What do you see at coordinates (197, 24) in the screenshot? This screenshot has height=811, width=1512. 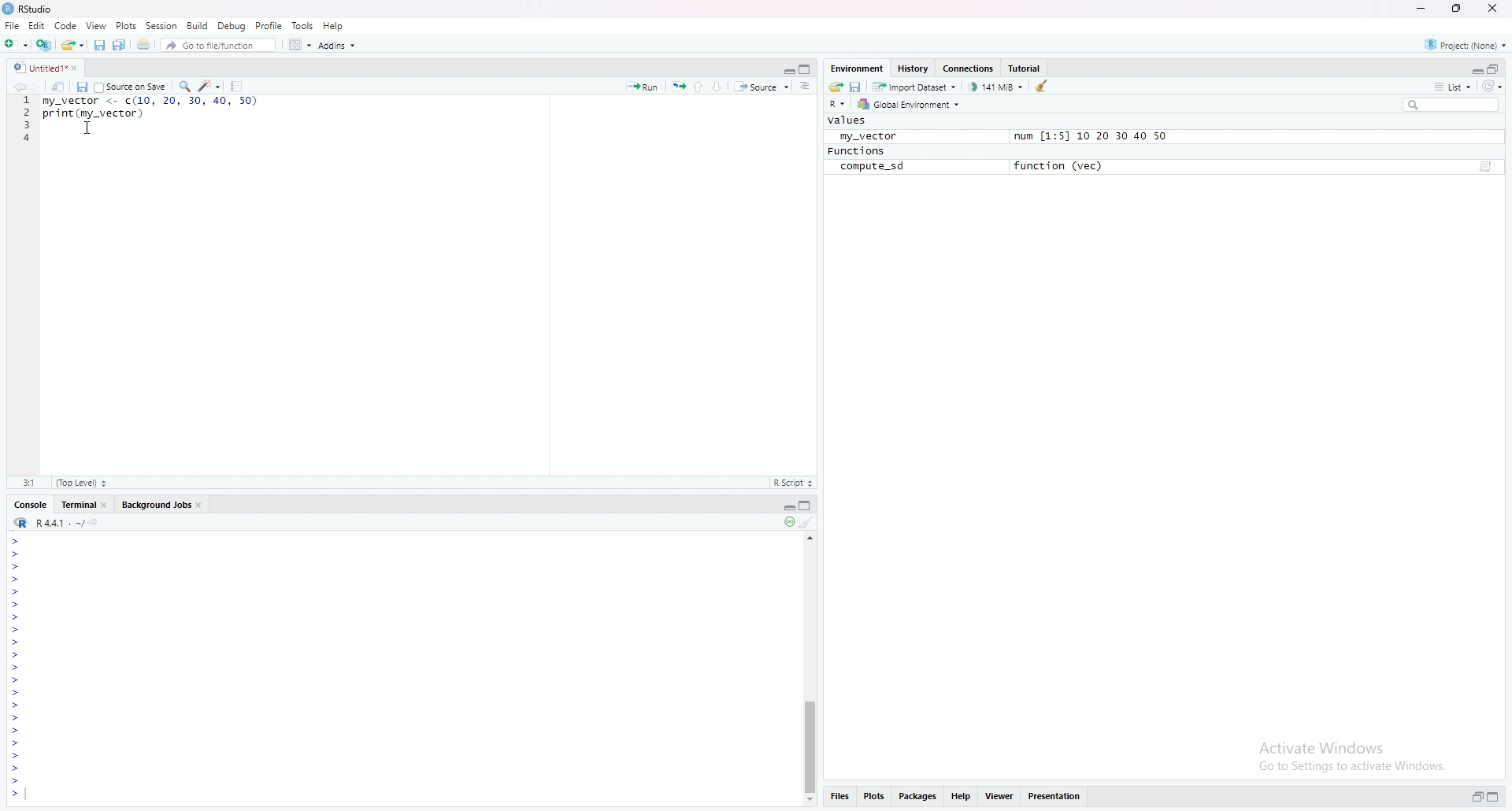 I see `Build` at bounding box center [197, 24].